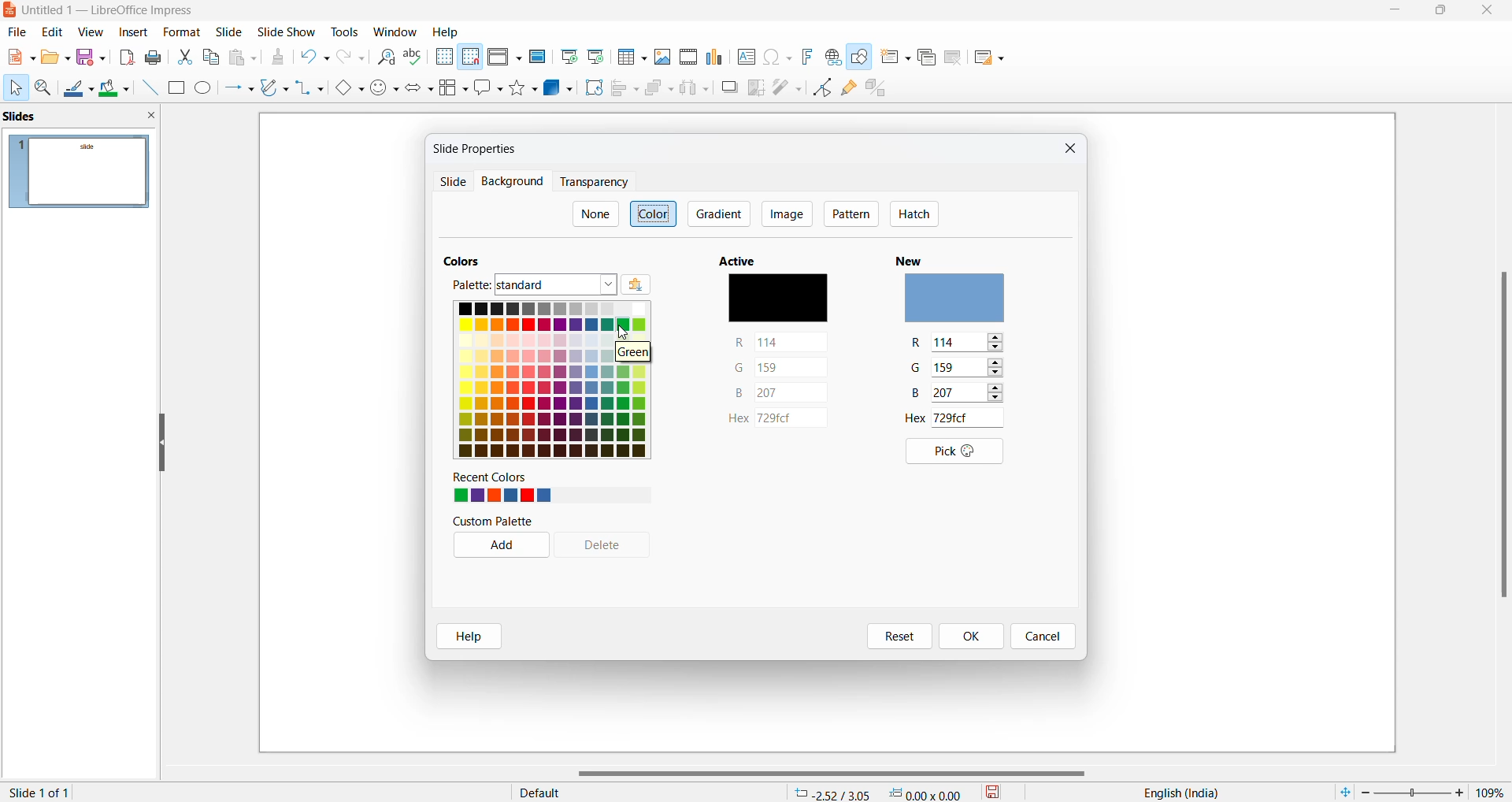 This screenshot has height=802, width=1512. I want to click on green, so click(780, 366).